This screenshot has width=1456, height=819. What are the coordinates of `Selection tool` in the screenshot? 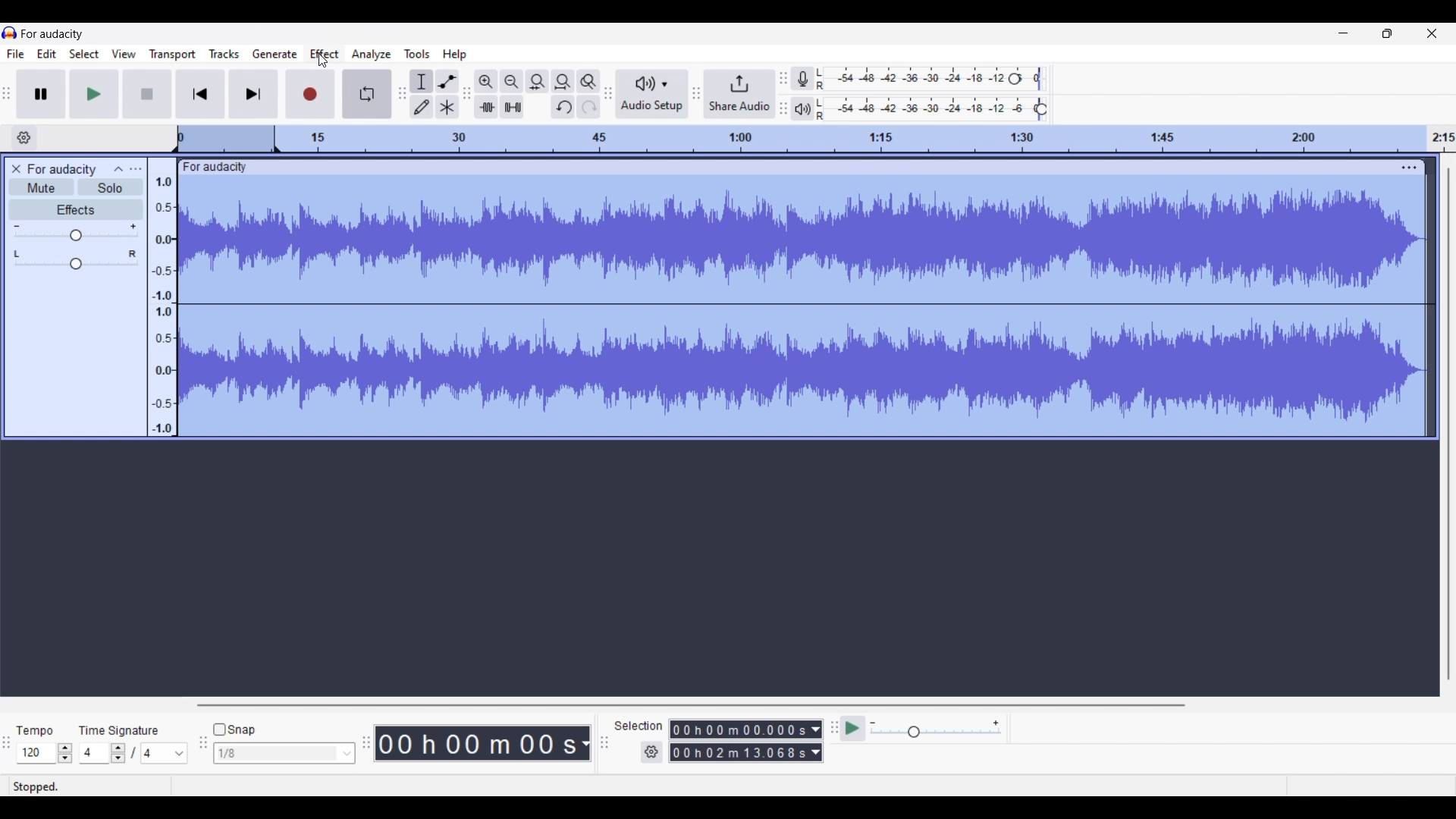 It's located at (422, 81).